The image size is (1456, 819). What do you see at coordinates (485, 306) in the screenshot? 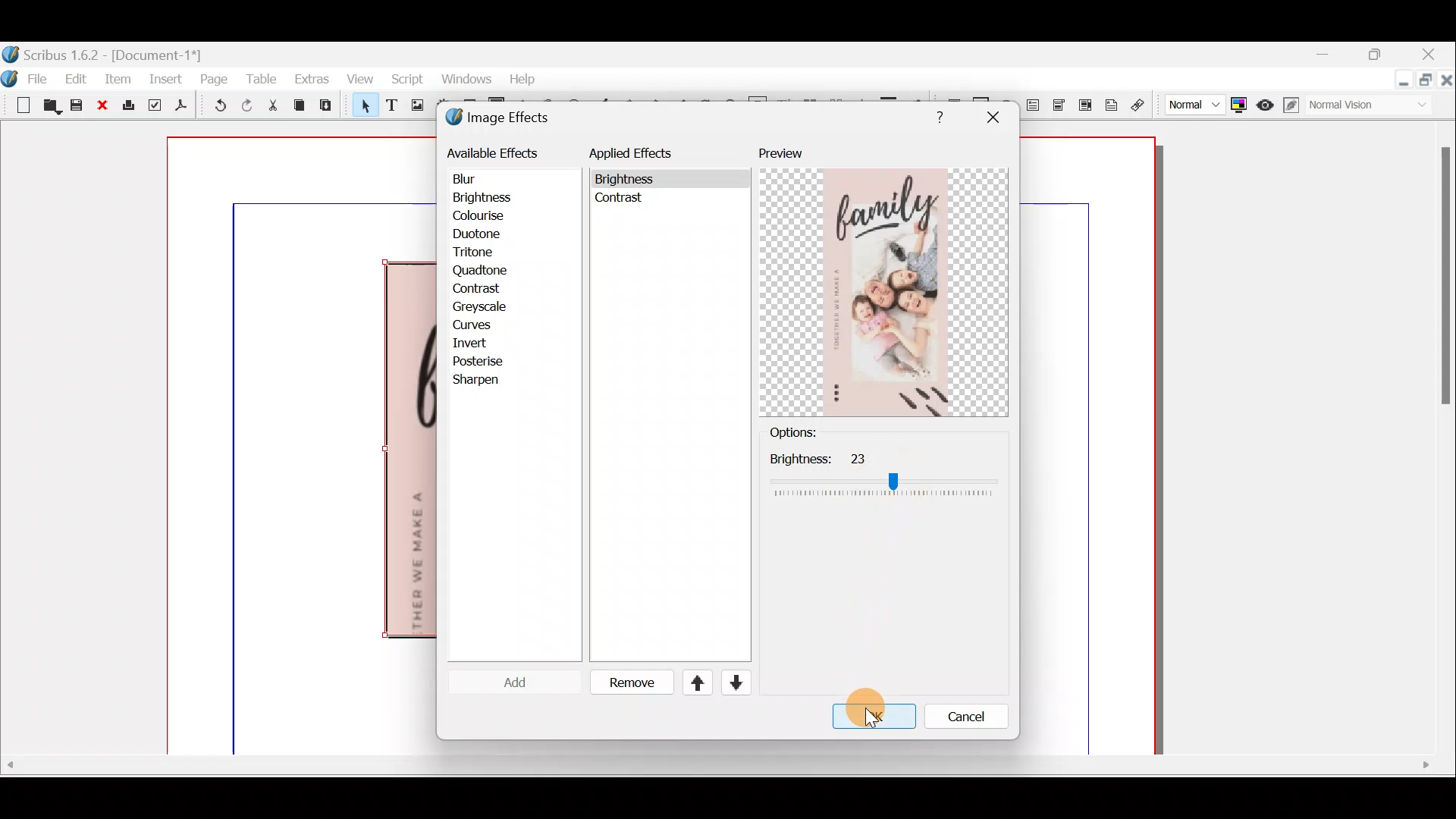
I see `Greyscale` at bounding box center [485, 306].